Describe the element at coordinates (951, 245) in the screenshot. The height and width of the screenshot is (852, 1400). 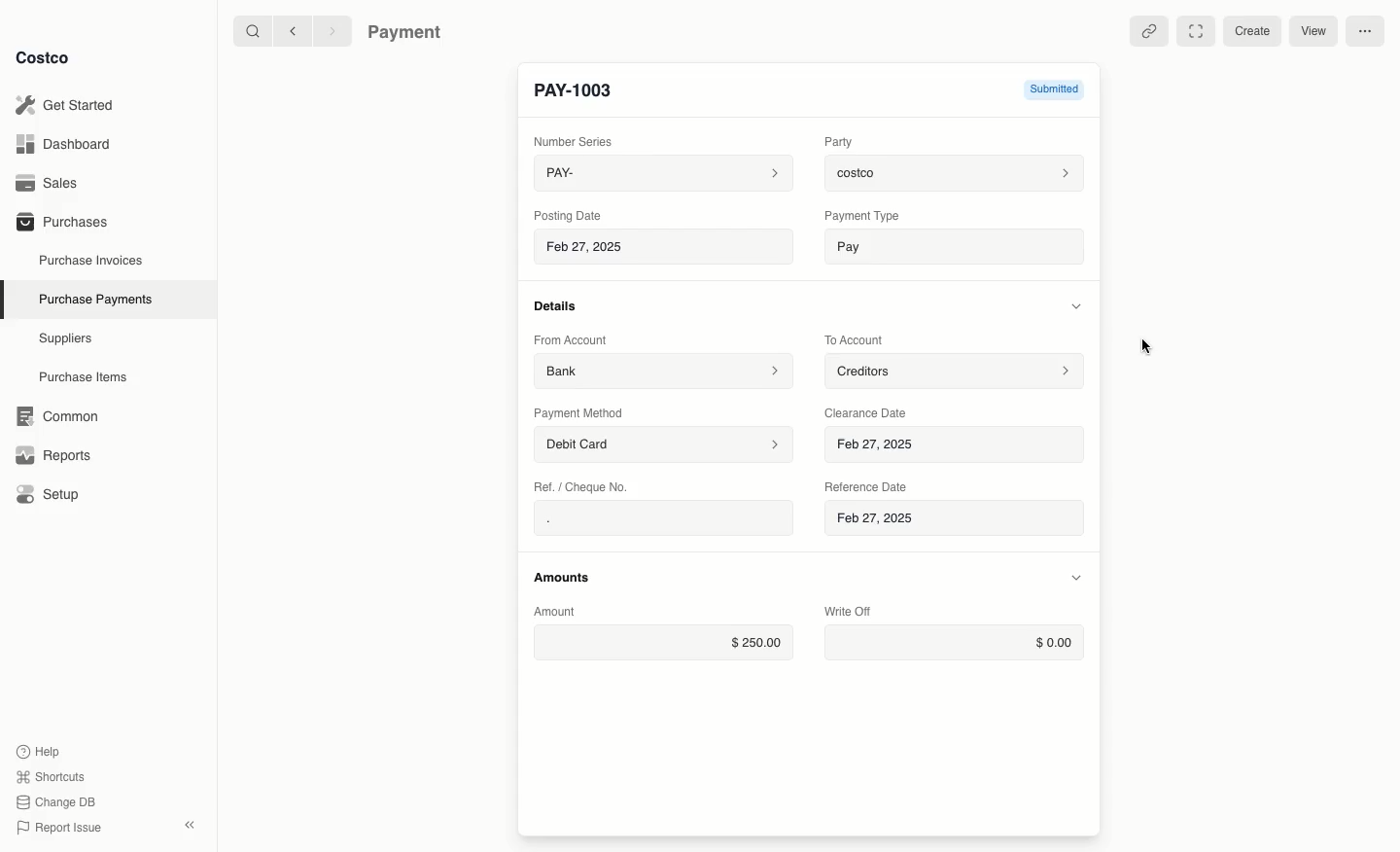
I see `Pay` at that location.